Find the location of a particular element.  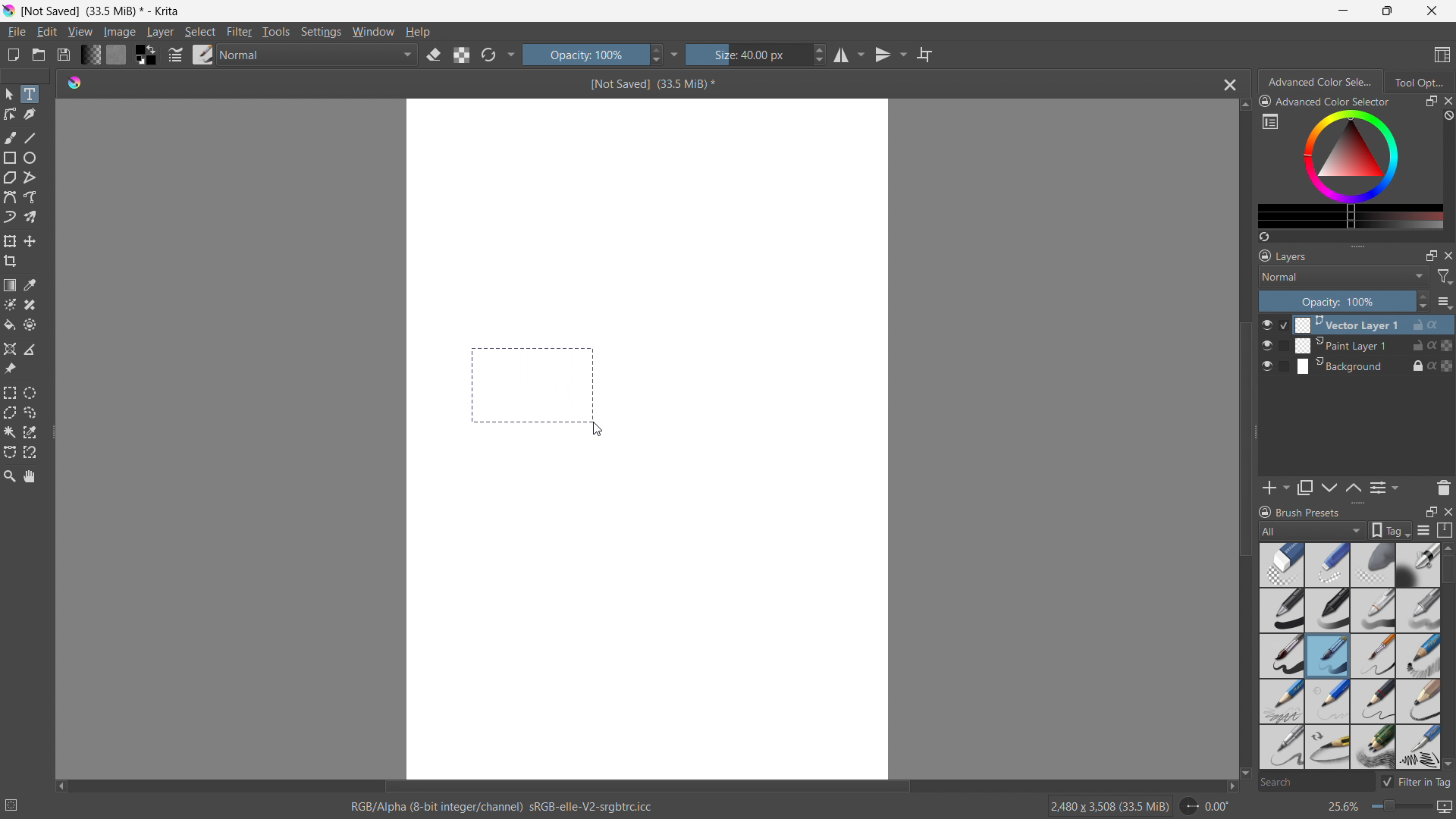

light blur is located at coordinates (1327, 565).